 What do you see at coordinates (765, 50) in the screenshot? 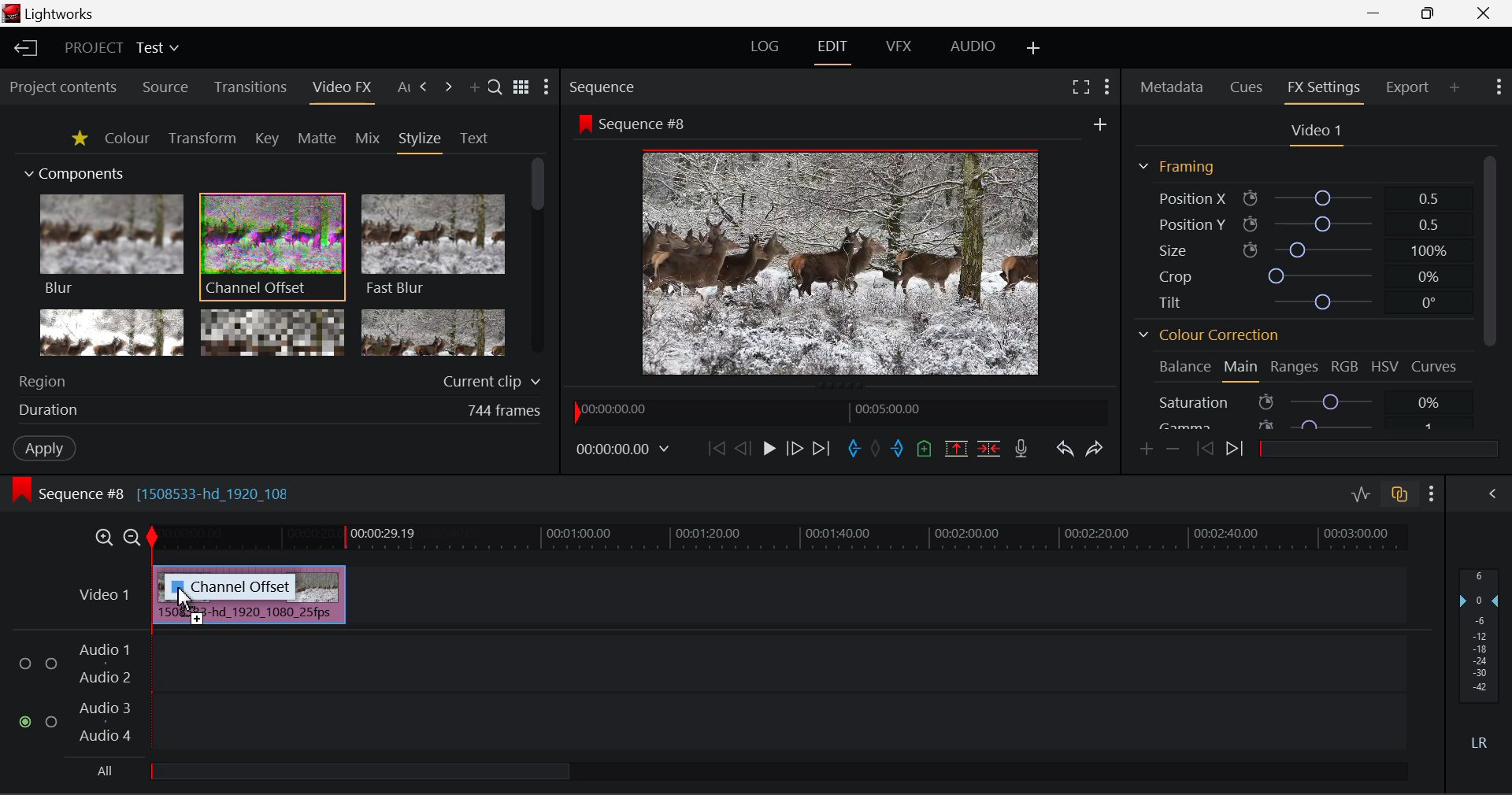
I see `LOG Layout` at bounding box center [765, 50].